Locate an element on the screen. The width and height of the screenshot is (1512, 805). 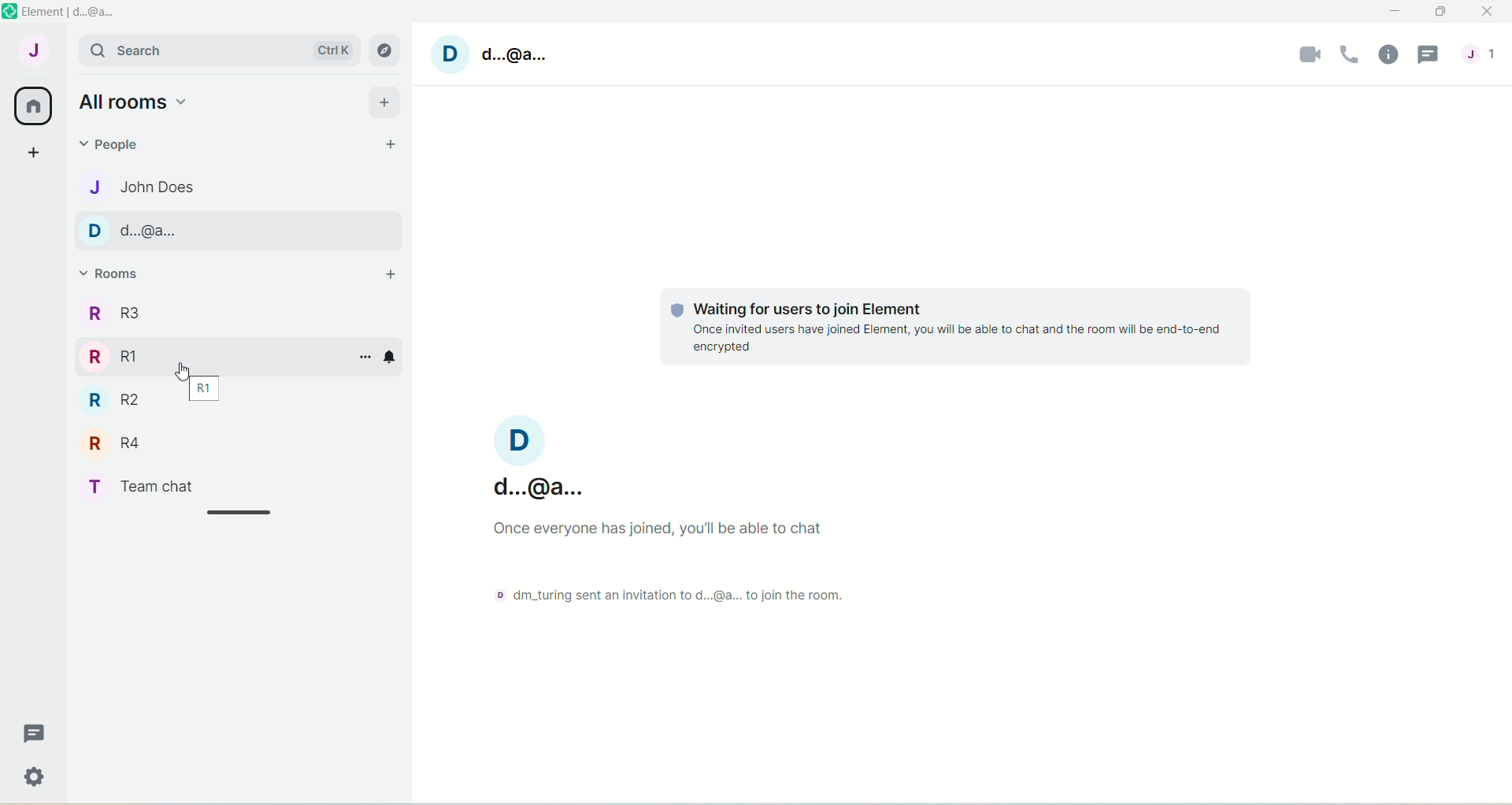
Message is located at coordinates (37, 733).